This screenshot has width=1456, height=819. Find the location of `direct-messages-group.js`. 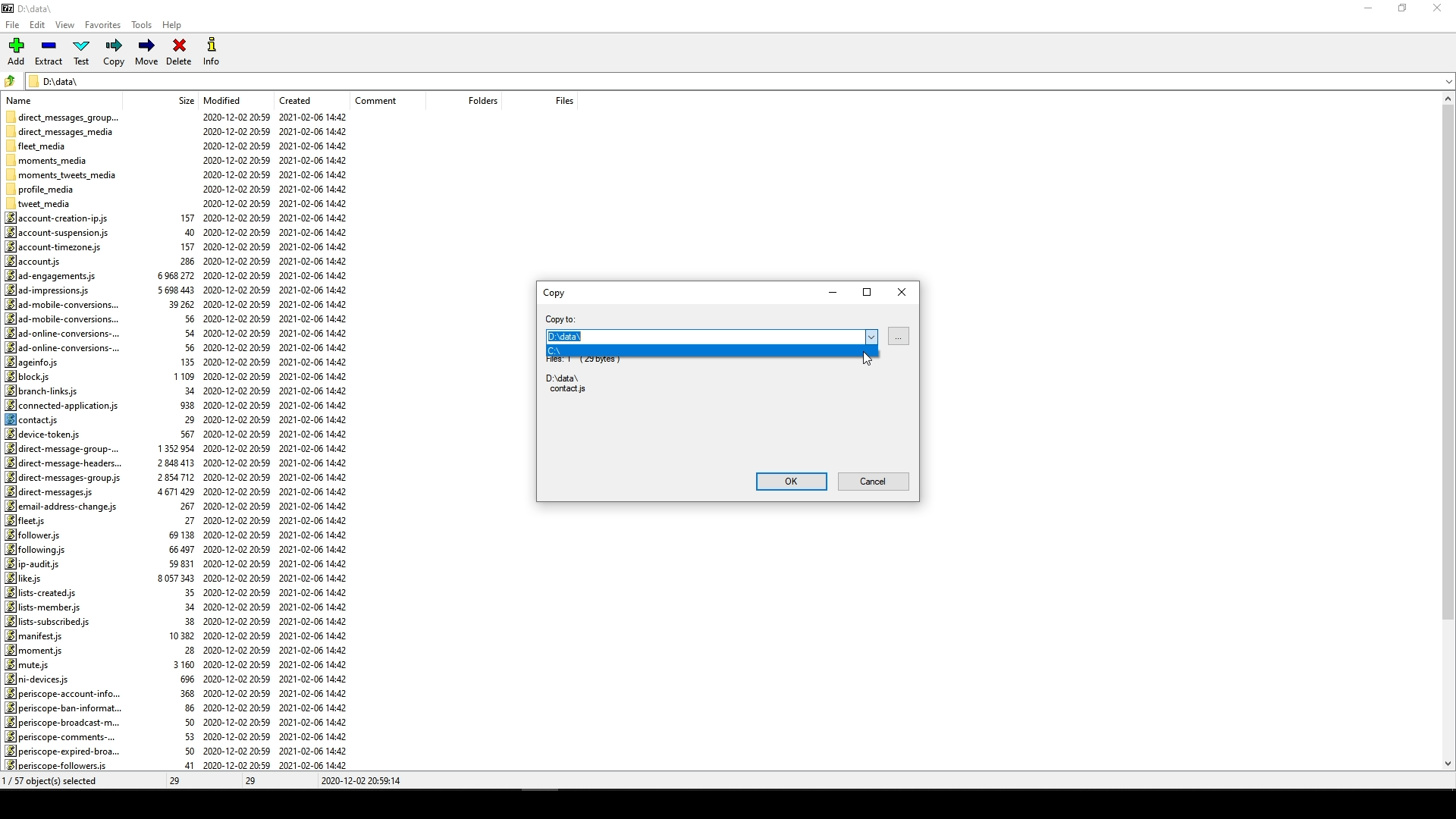

direct-messages-group.js is located at coordinates (64, 479).